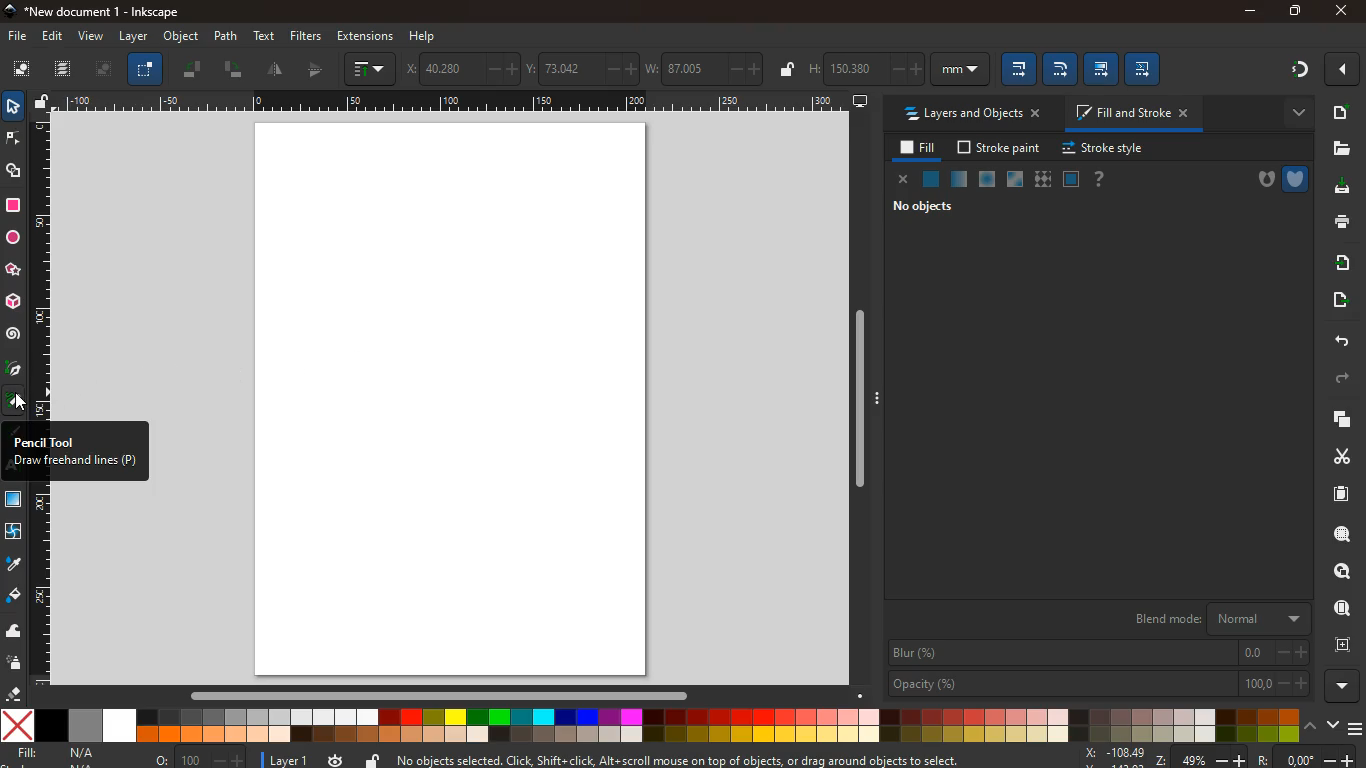 The height and width of the screenshot is (768, 1366). I want to click on screen, so click(20, 69).